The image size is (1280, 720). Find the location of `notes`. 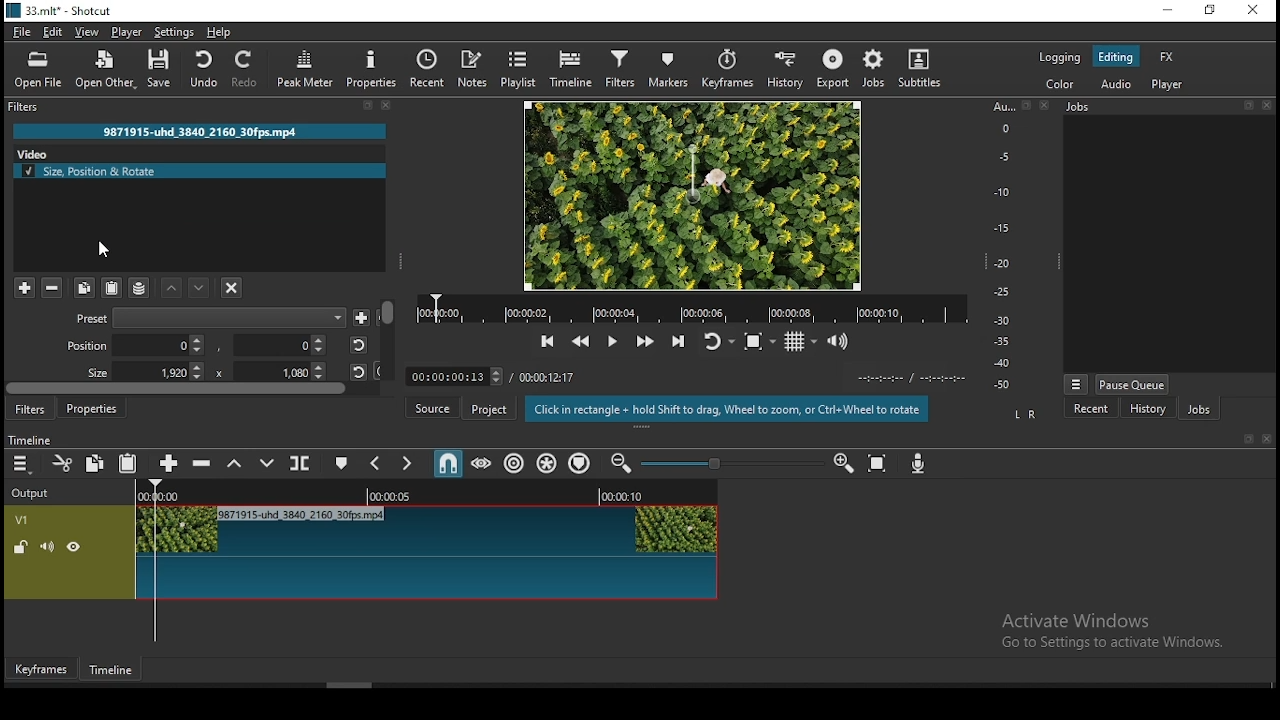

notes is located at coordinates (474, 68).